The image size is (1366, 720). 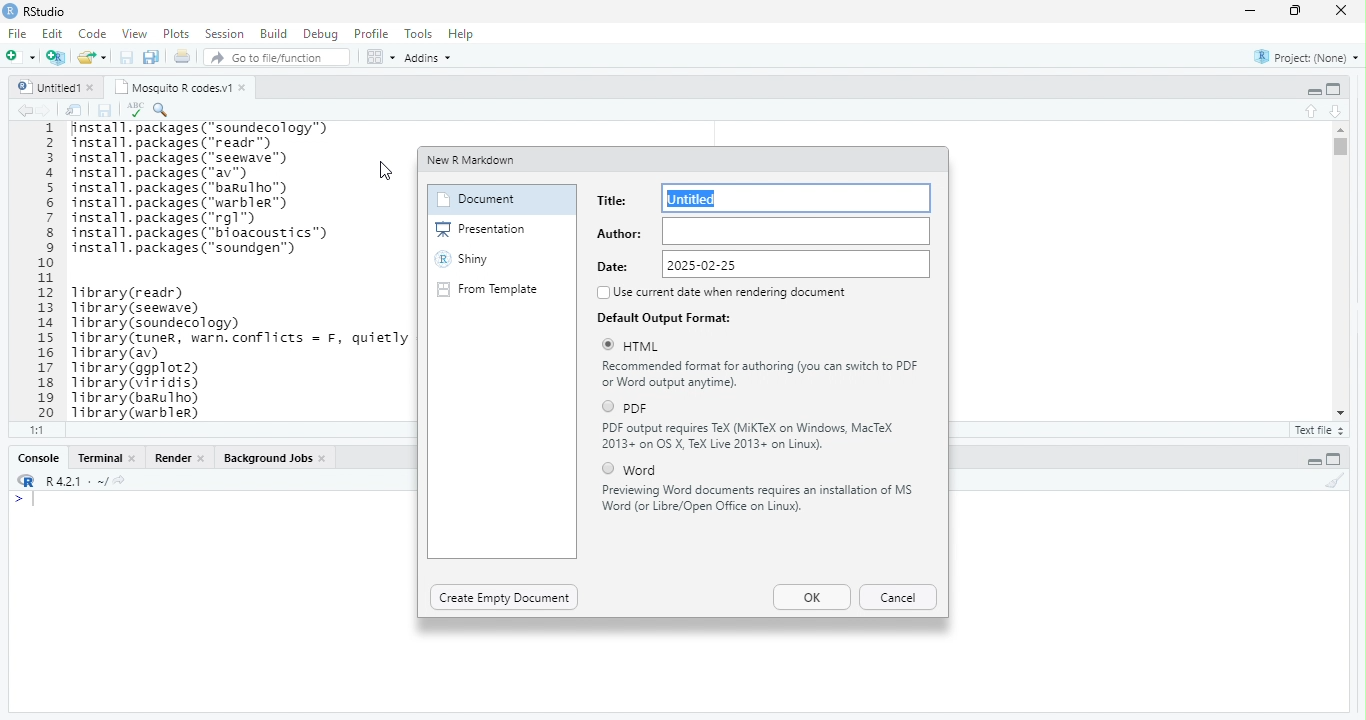 I want to click on Use current date when rendering document, so click(x=731, y=293).